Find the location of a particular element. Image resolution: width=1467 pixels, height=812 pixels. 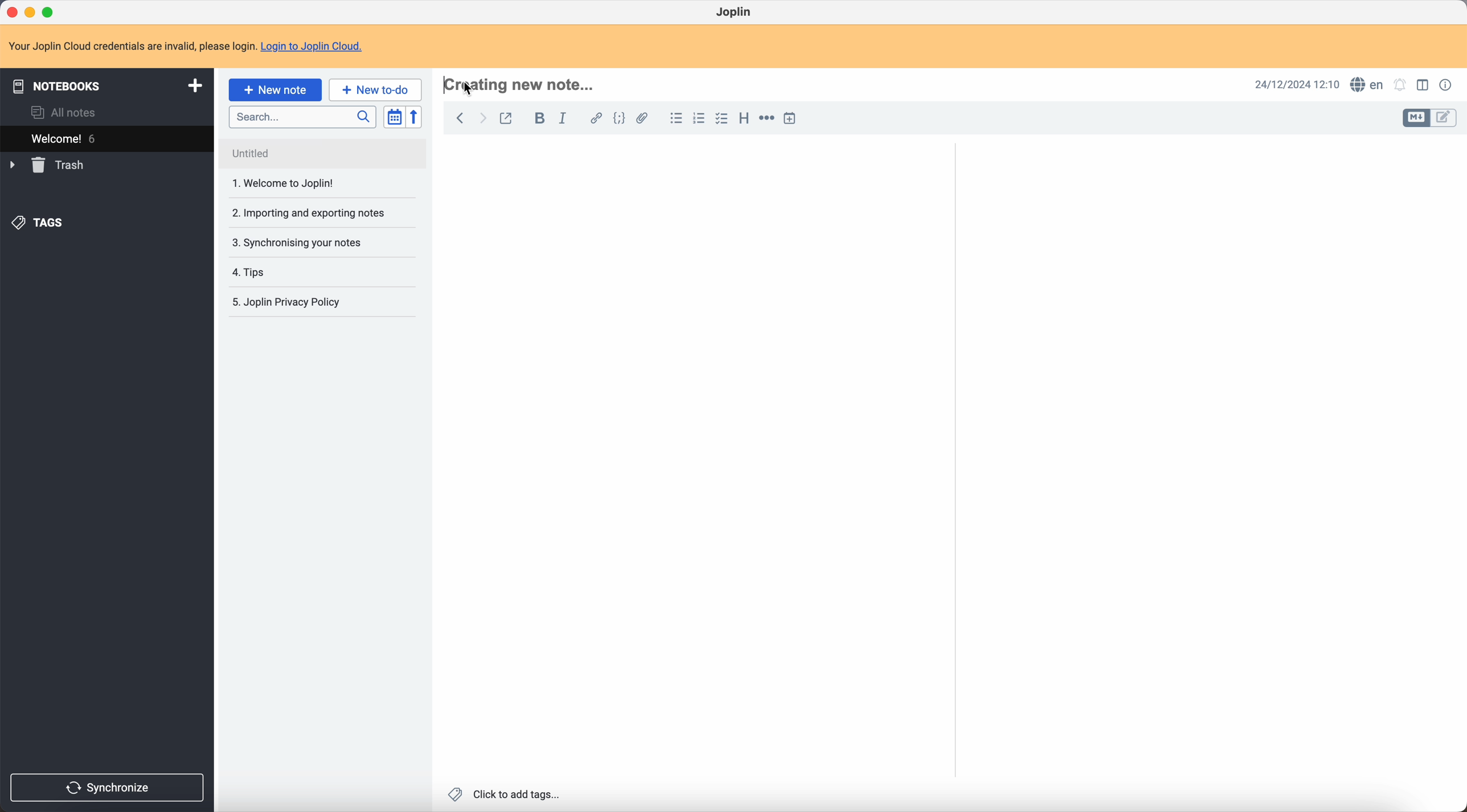

numbered list is located at coordinates (698, 118).